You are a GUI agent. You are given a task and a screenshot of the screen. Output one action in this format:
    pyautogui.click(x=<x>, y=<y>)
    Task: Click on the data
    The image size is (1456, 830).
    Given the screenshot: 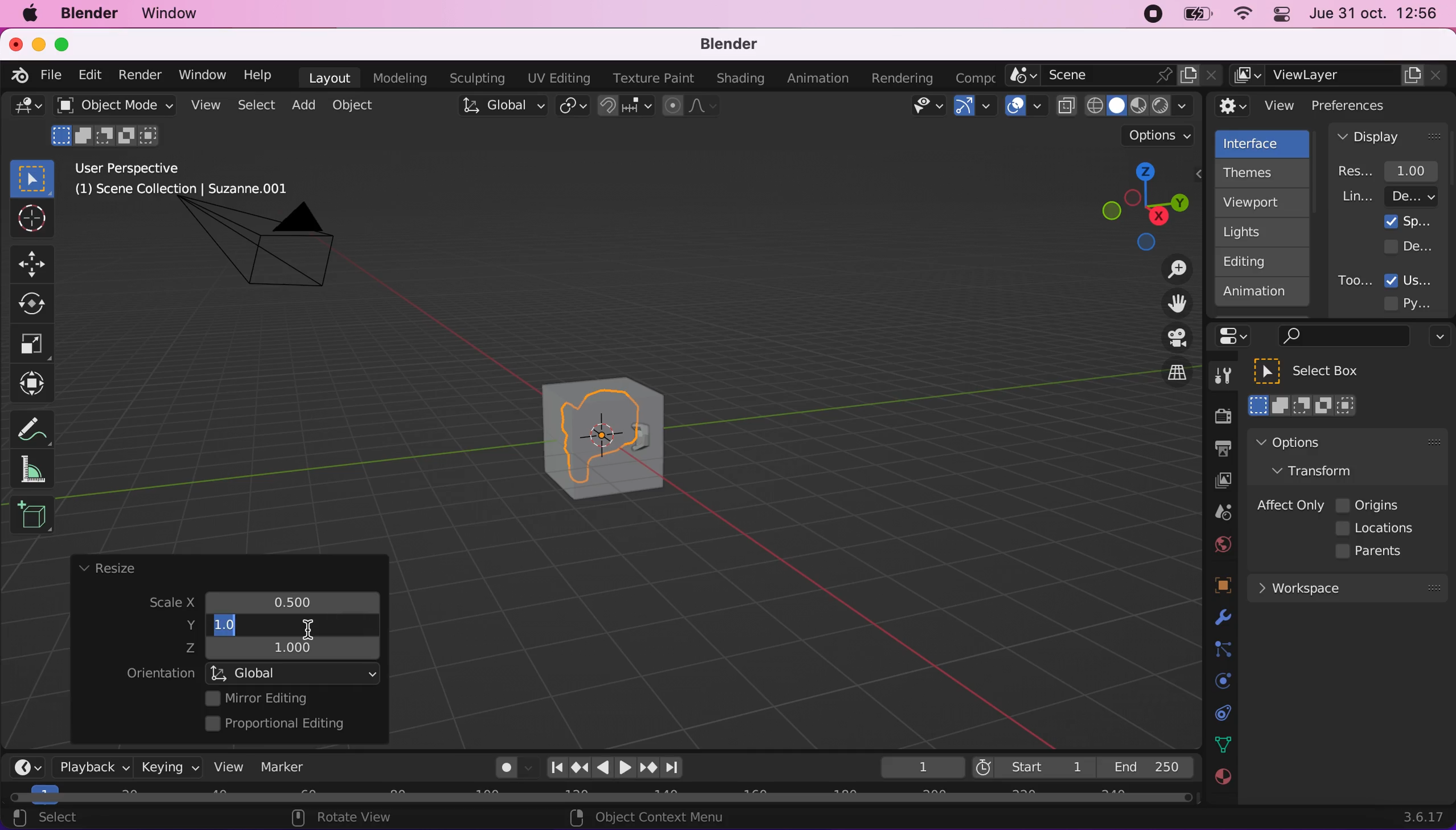 What is the action you would take?
    pyautogui.click(x=1220, y=743)
    